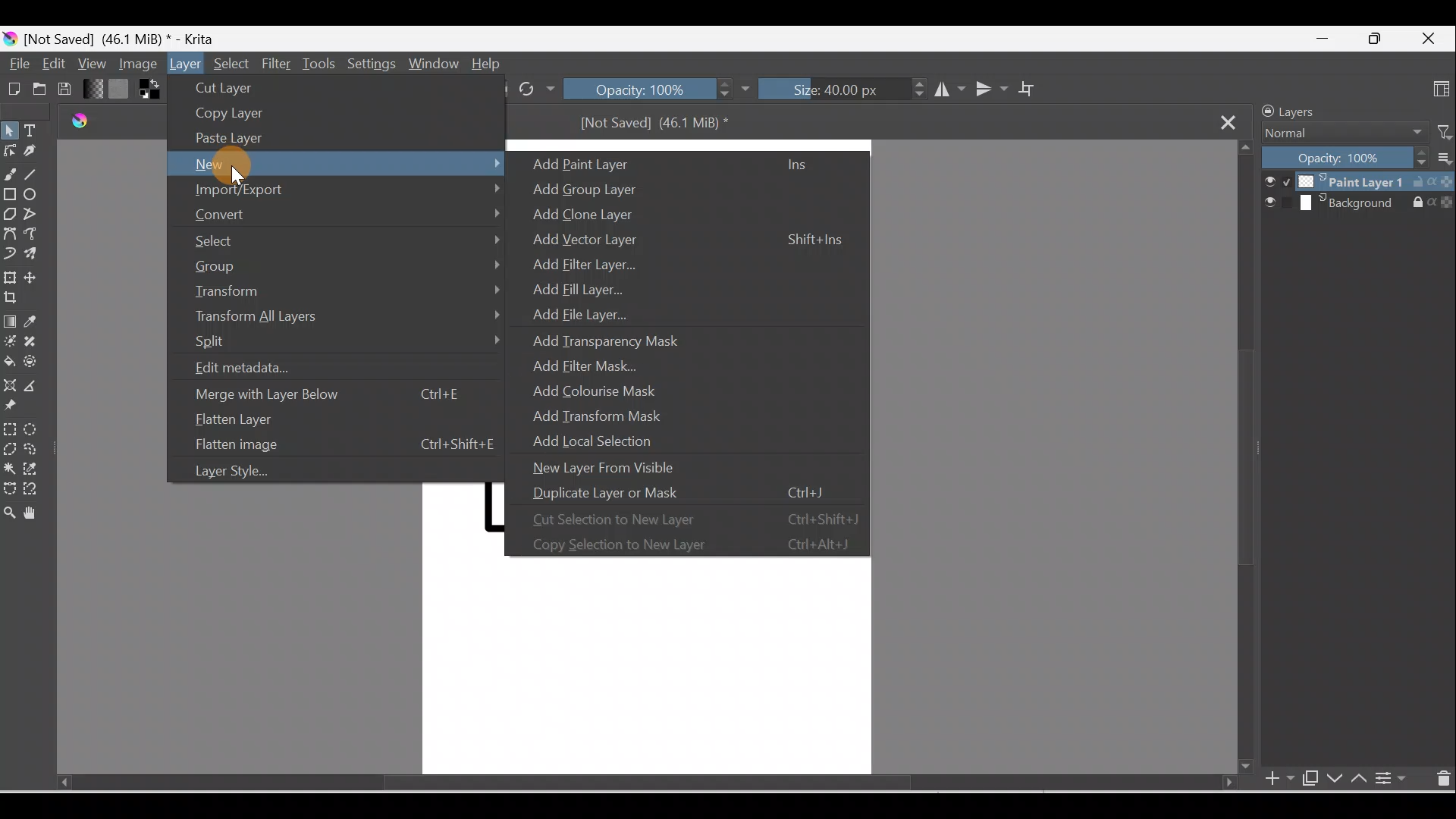 This screenshot has height=819, width=1456. Describe the element at coordinates (1314, 110) in the screenshot. I see `Layers` at that location.